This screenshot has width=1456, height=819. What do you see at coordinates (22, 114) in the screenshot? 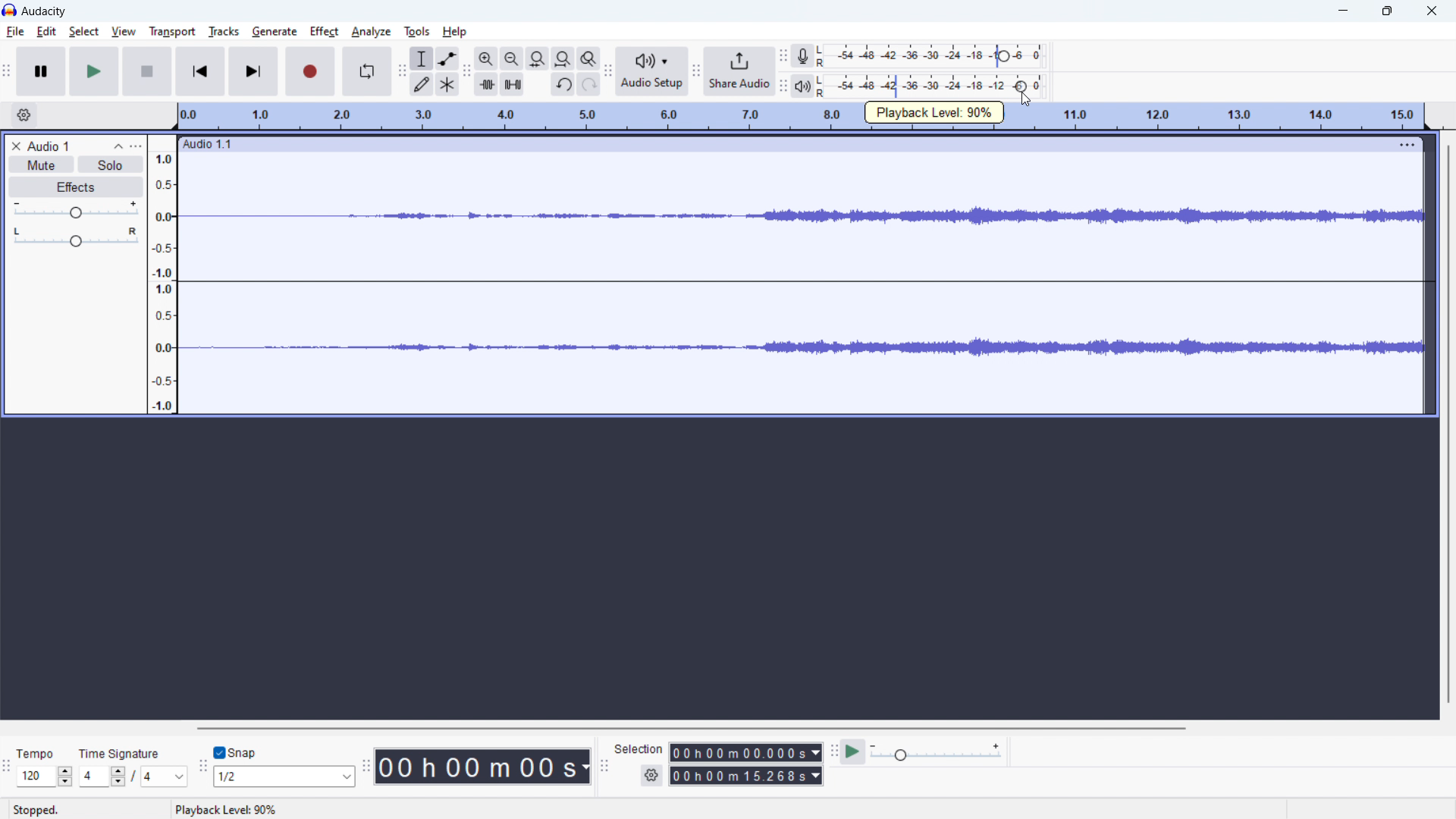
I see `timeline settings` at bounding box center [22, 114].